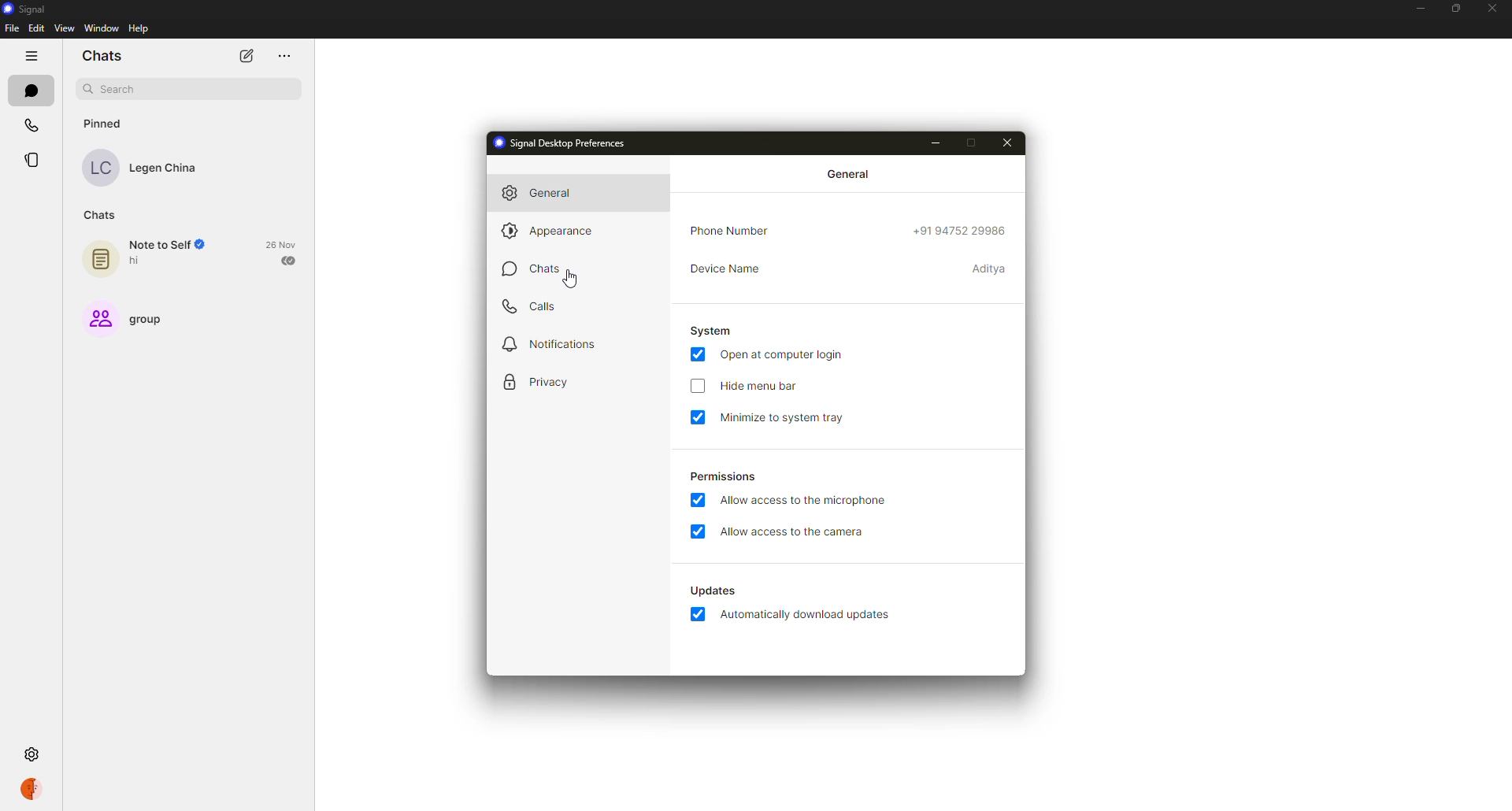 This screenshot has height=811, width=1512. Describe the element at coordinates (246, 57) in the screenshot. I see `new chat` at that location.